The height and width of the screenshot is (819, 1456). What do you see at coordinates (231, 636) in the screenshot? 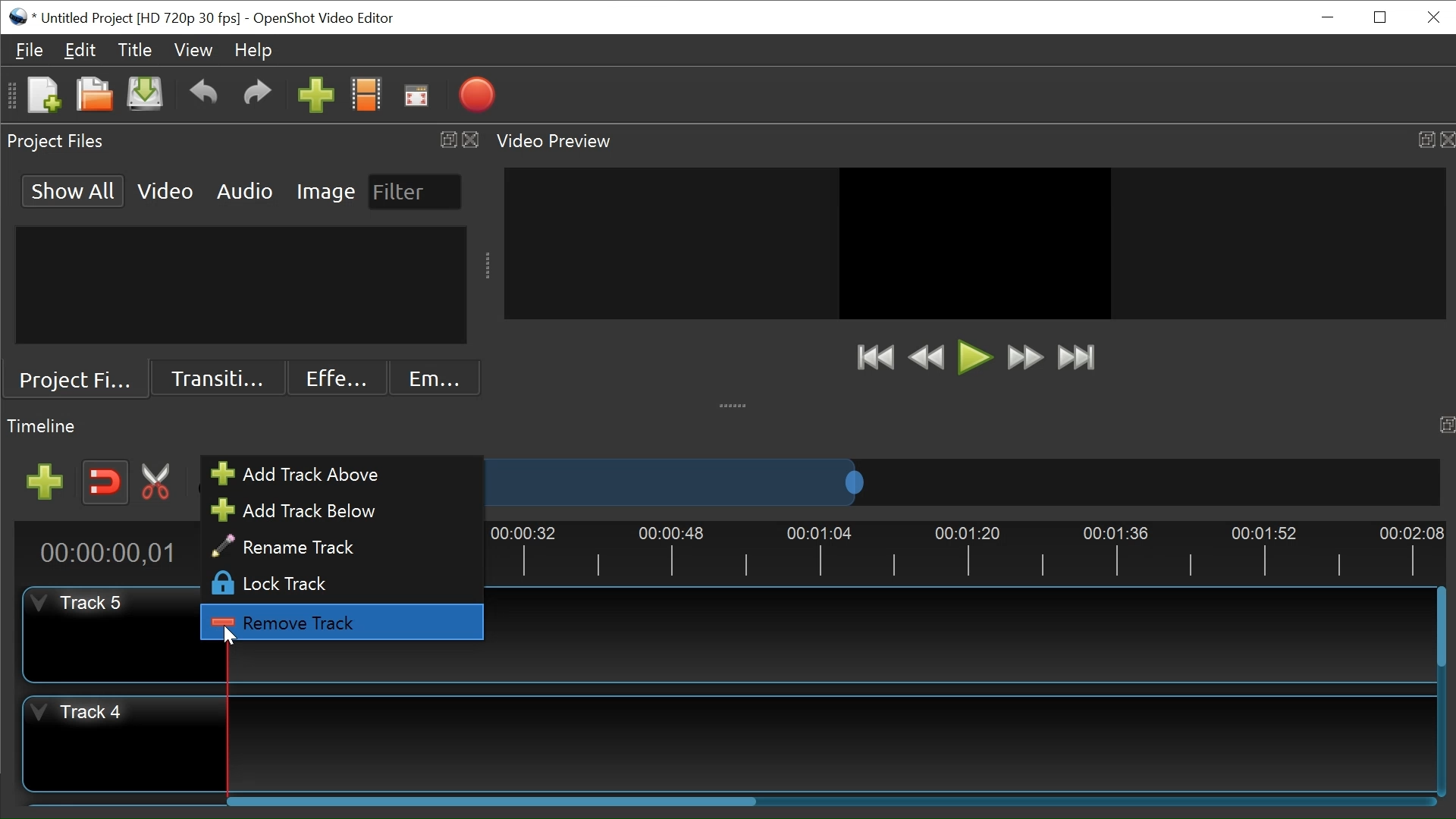
I see `Cursor` at bounding box center [231, 636].